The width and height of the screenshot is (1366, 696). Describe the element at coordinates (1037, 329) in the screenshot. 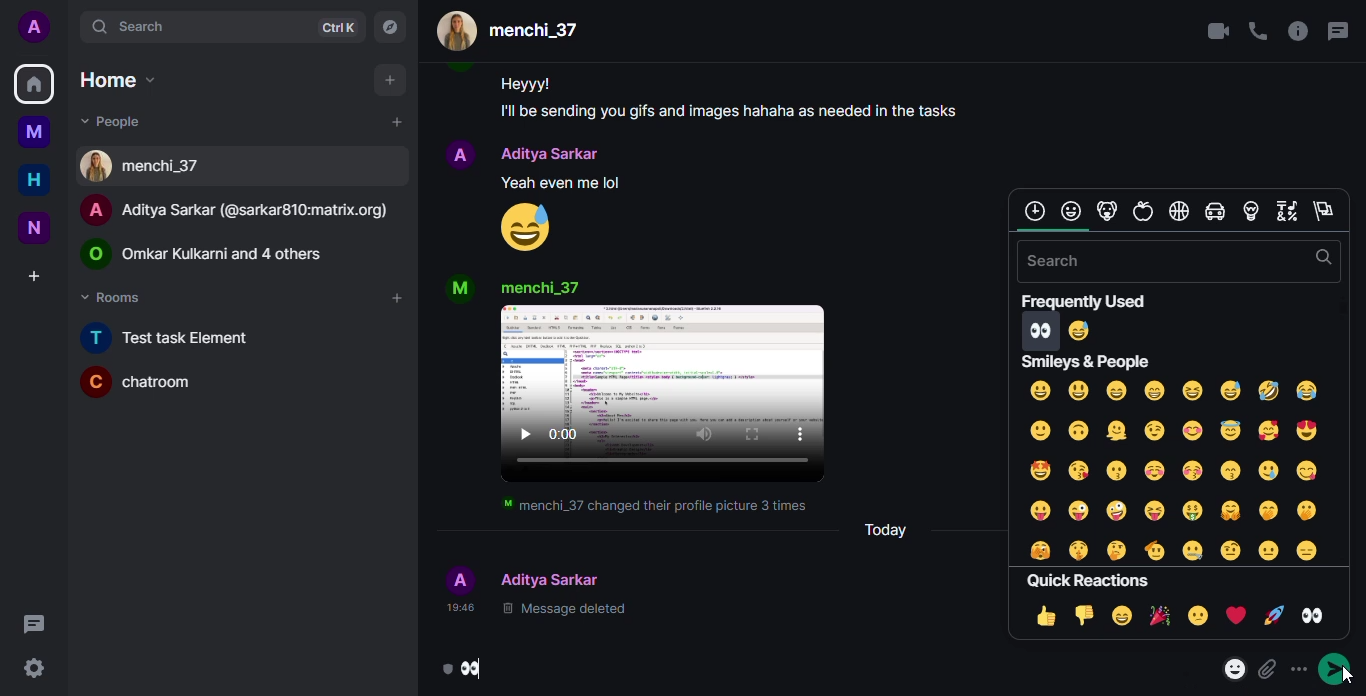

I see `eyes` at that location.